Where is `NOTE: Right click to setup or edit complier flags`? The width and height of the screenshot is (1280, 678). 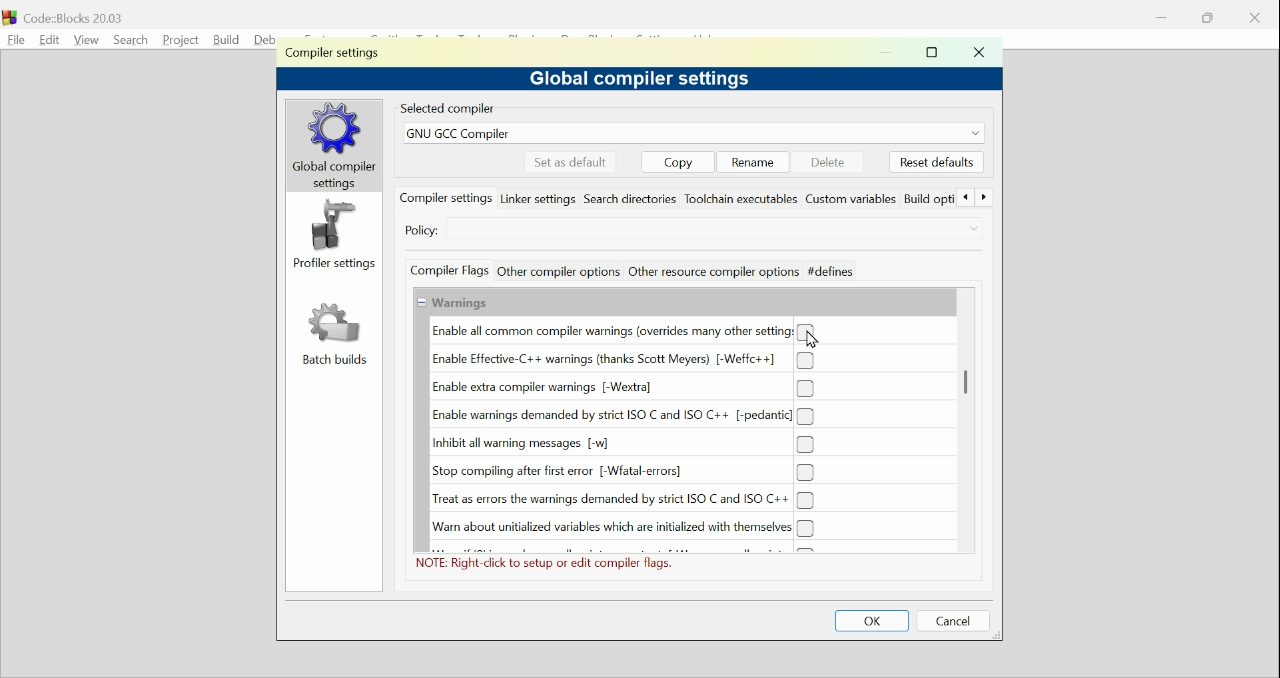
NOTE: Right click to setup or edit complier flags is located at coordinates (551, 564).